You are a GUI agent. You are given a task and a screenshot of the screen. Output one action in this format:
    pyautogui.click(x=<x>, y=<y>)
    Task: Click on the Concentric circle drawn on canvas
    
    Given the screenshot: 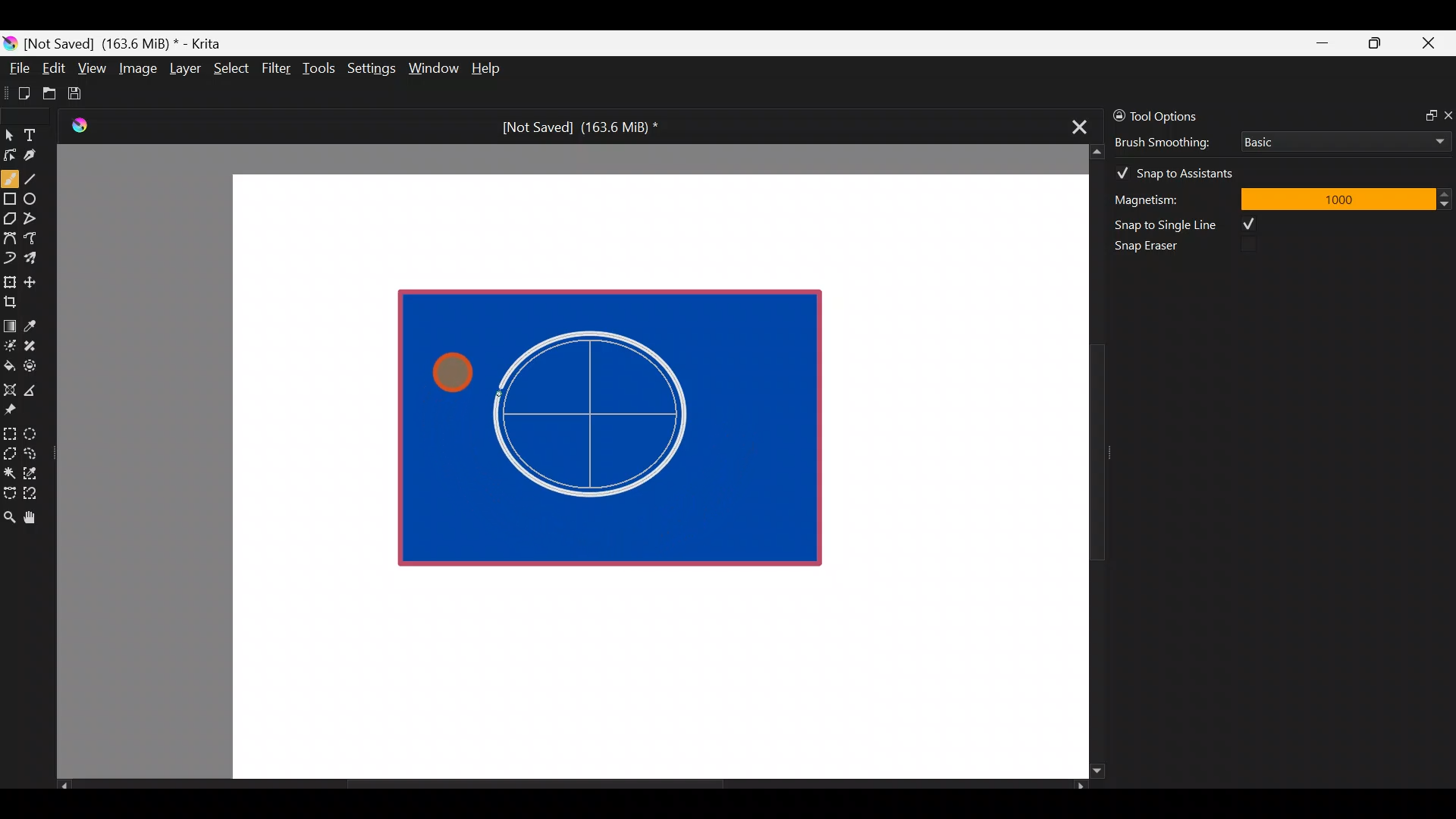 What is the action you would take?
    pyautogui.click(x=602, y=416)
    